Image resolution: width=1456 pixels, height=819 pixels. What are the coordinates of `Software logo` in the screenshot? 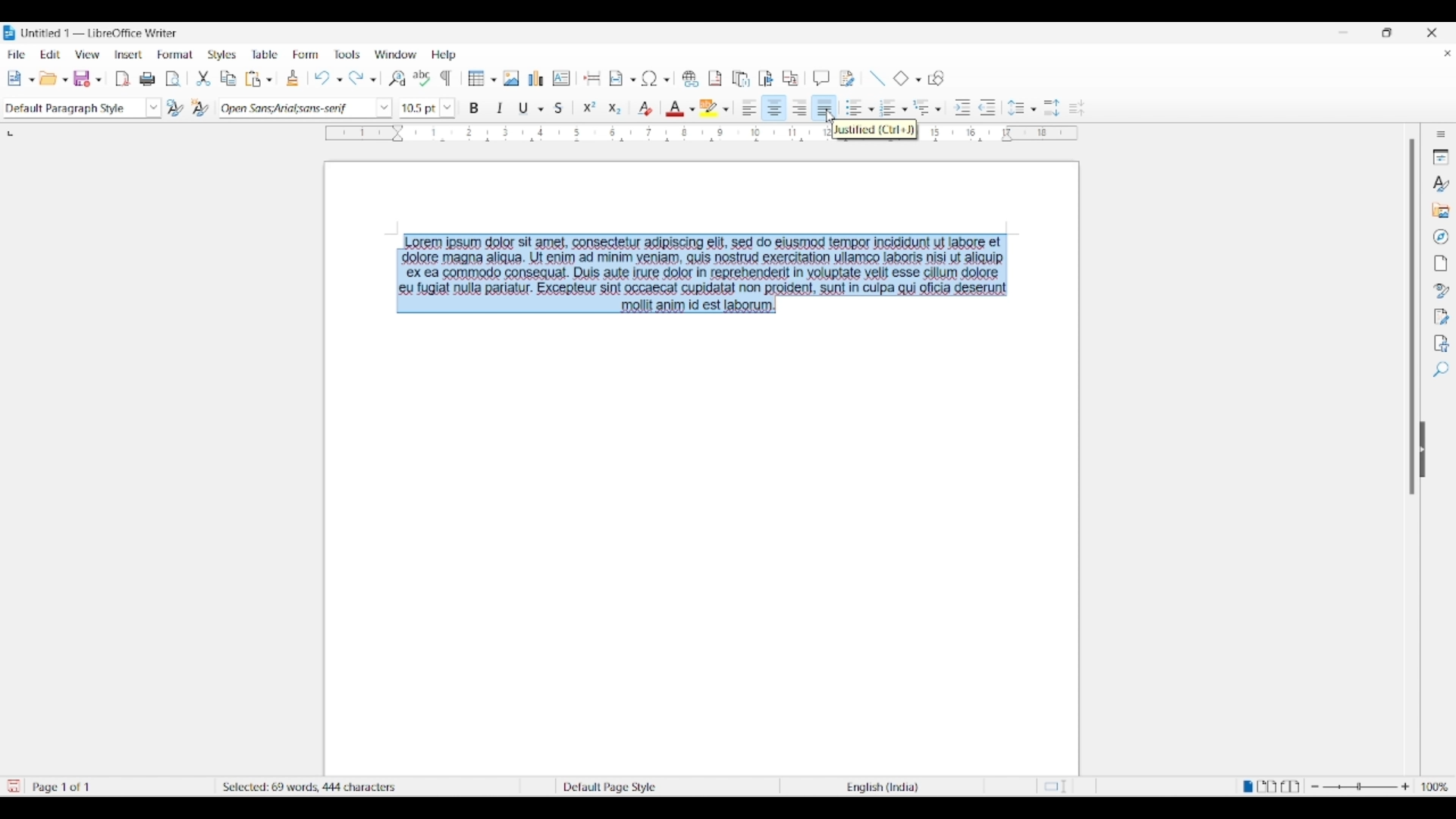 It's located at (10, 33).